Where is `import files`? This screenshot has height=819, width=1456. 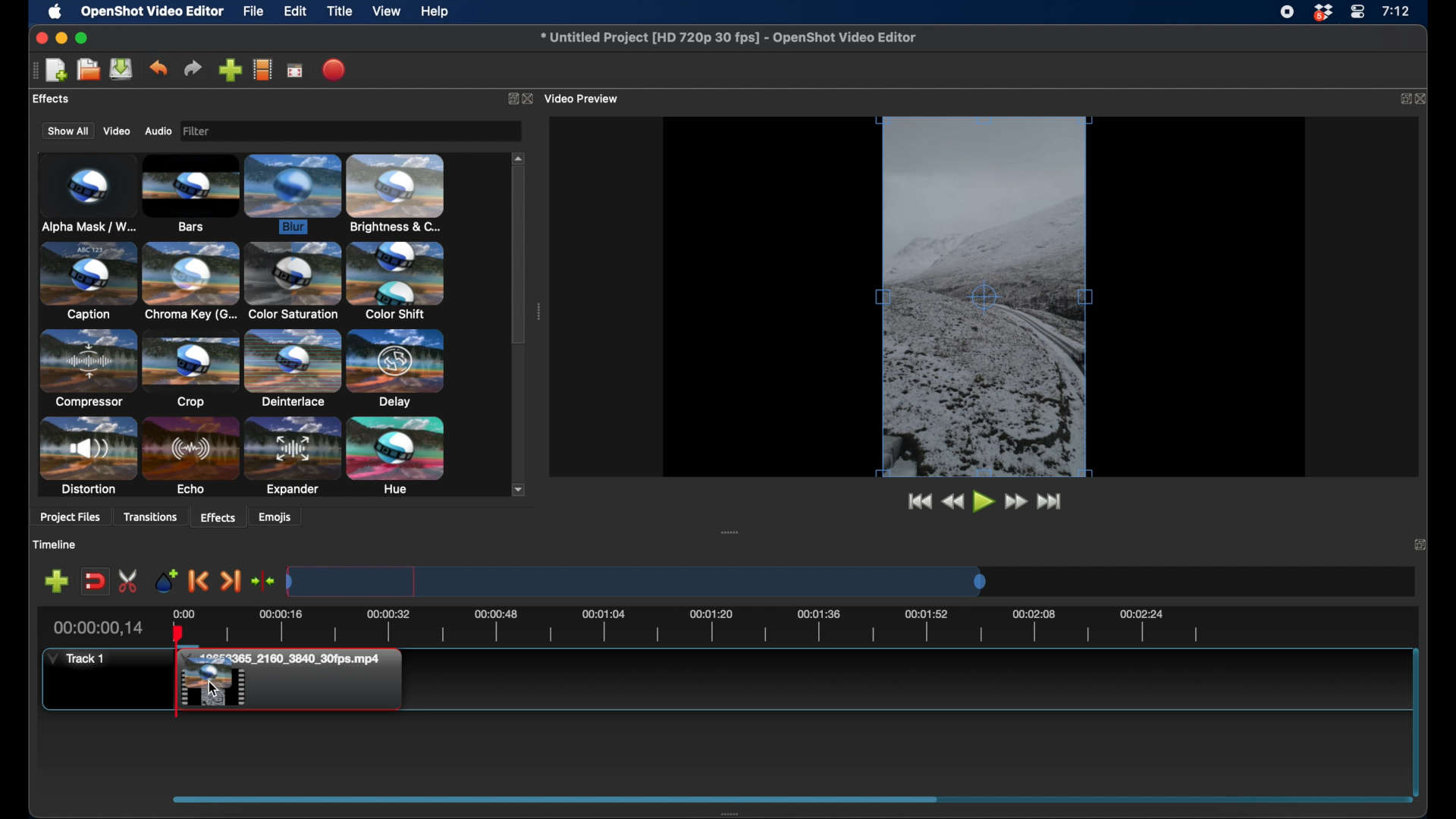 import files is located at coordinates (231, 70).